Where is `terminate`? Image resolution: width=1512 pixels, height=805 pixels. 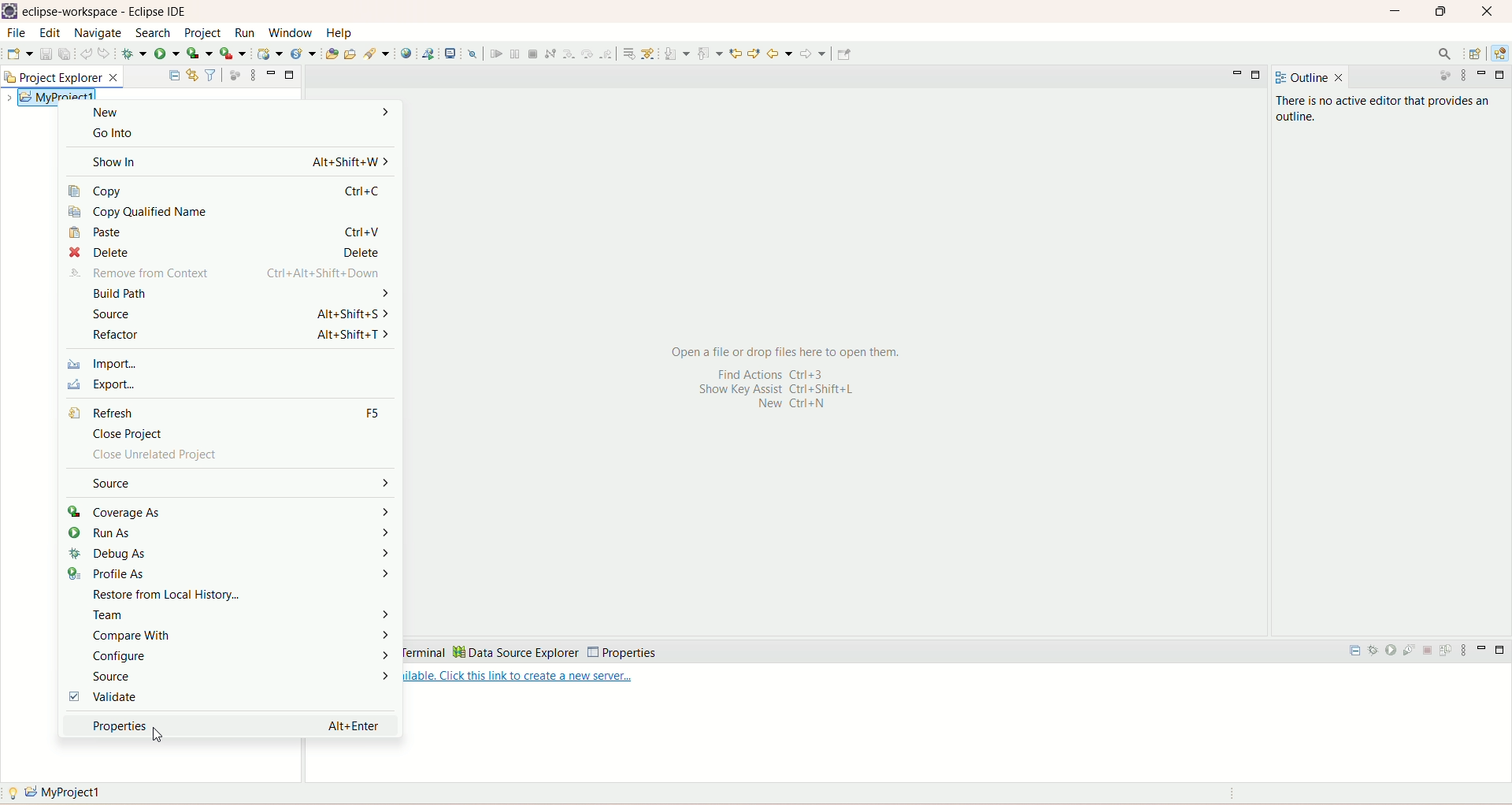 terminate is located at coordinates (534, 54).